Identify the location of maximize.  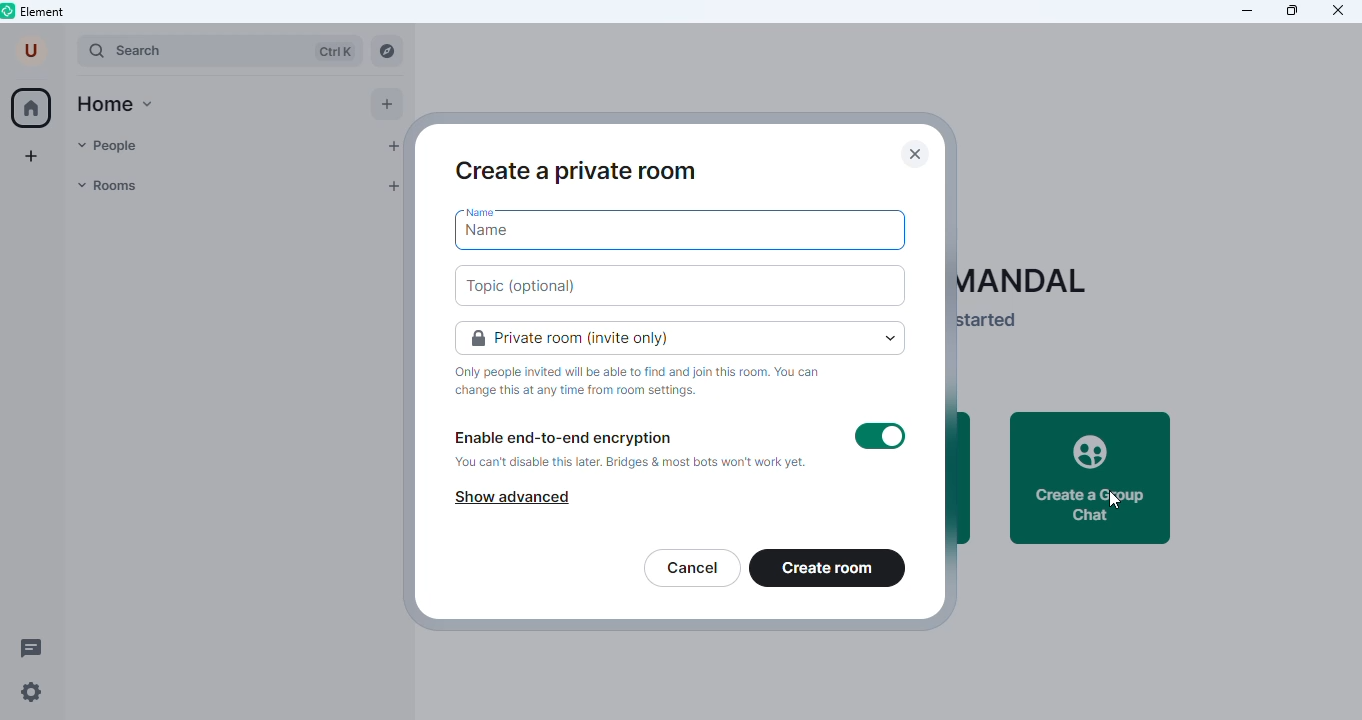
(1289, 12).